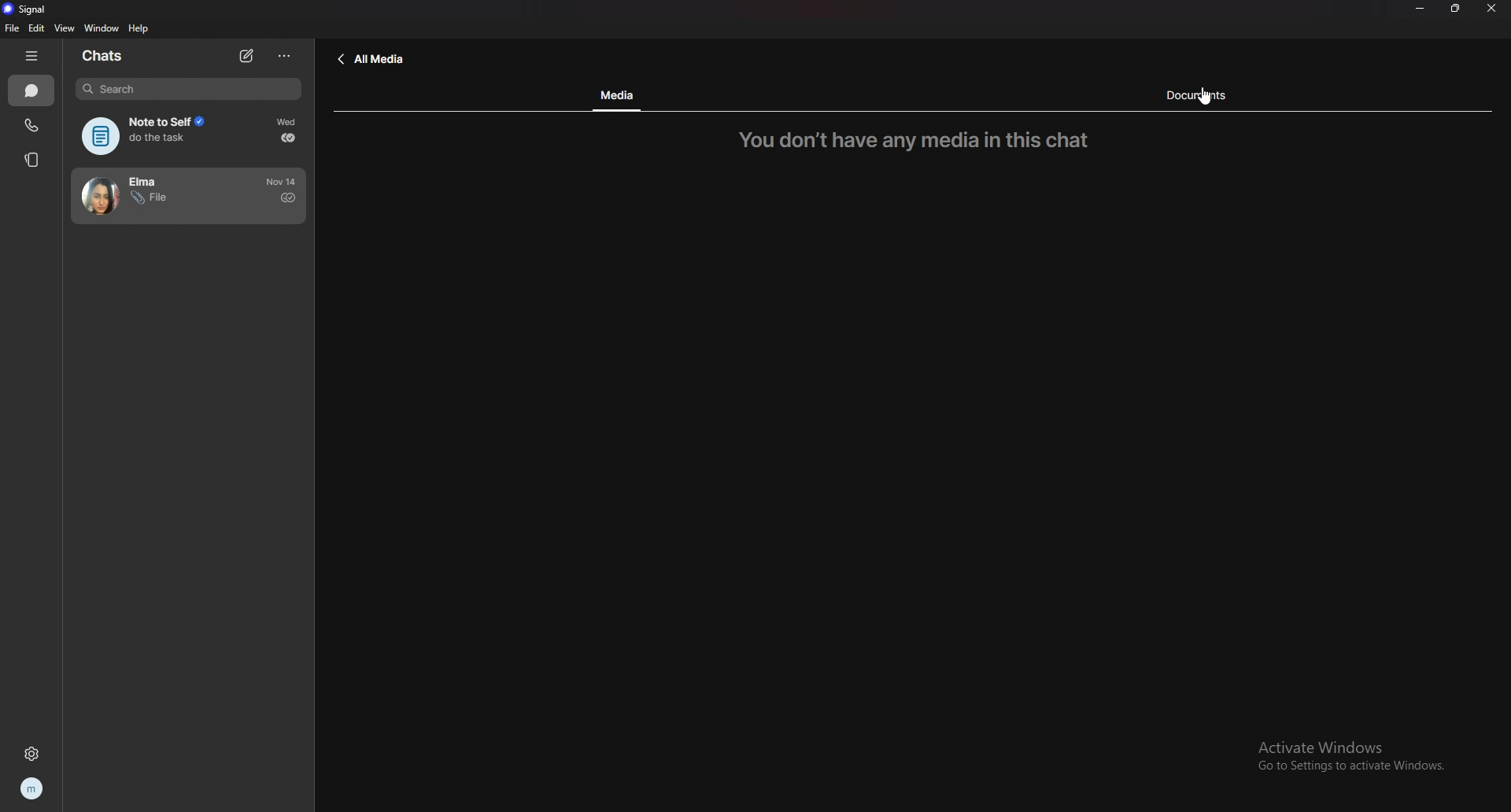  I want to click on profile, so click(33, 789).